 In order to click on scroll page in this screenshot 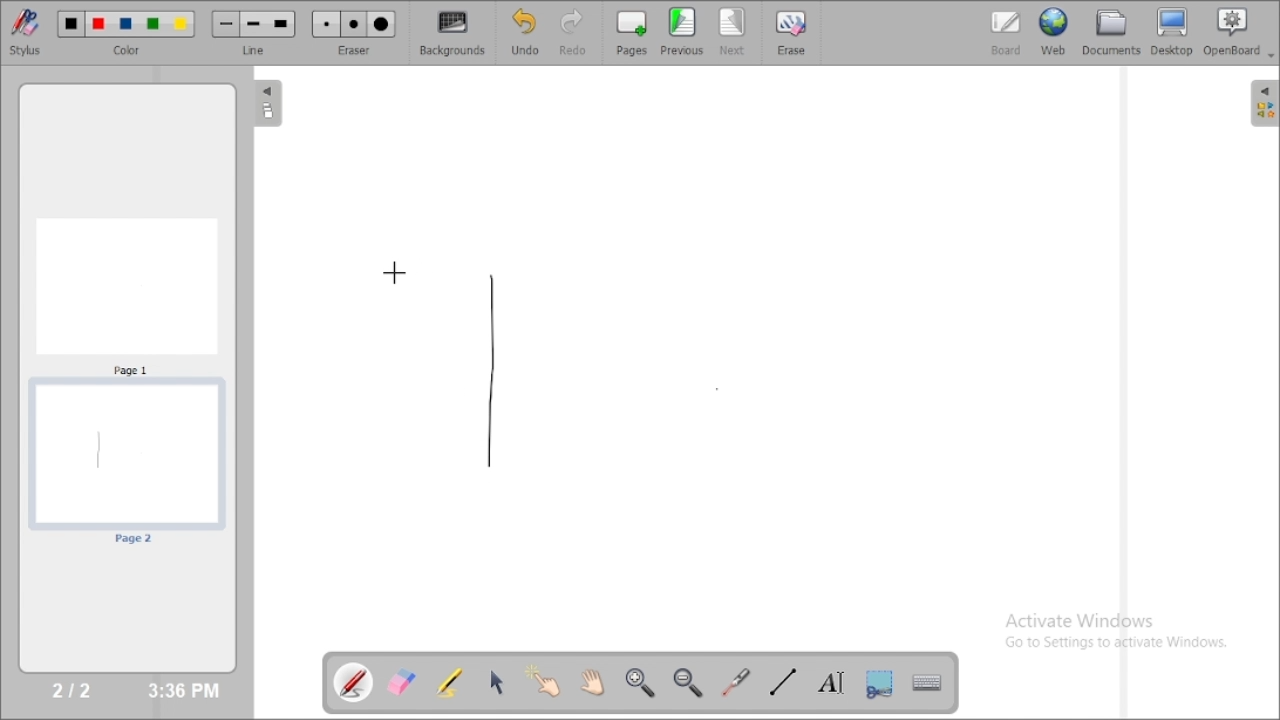, I will do `click(591, 681)`.